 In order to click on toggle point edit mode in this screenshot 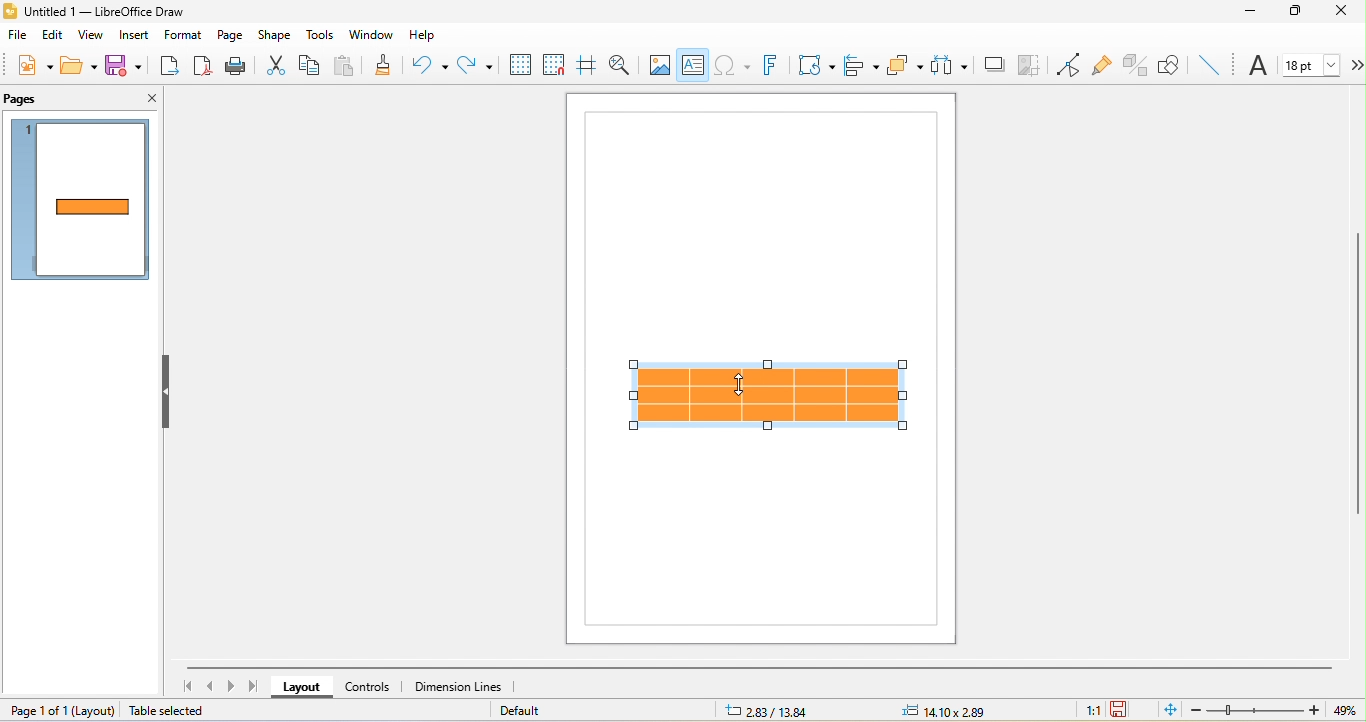, I will do `click(1070, 65)`.